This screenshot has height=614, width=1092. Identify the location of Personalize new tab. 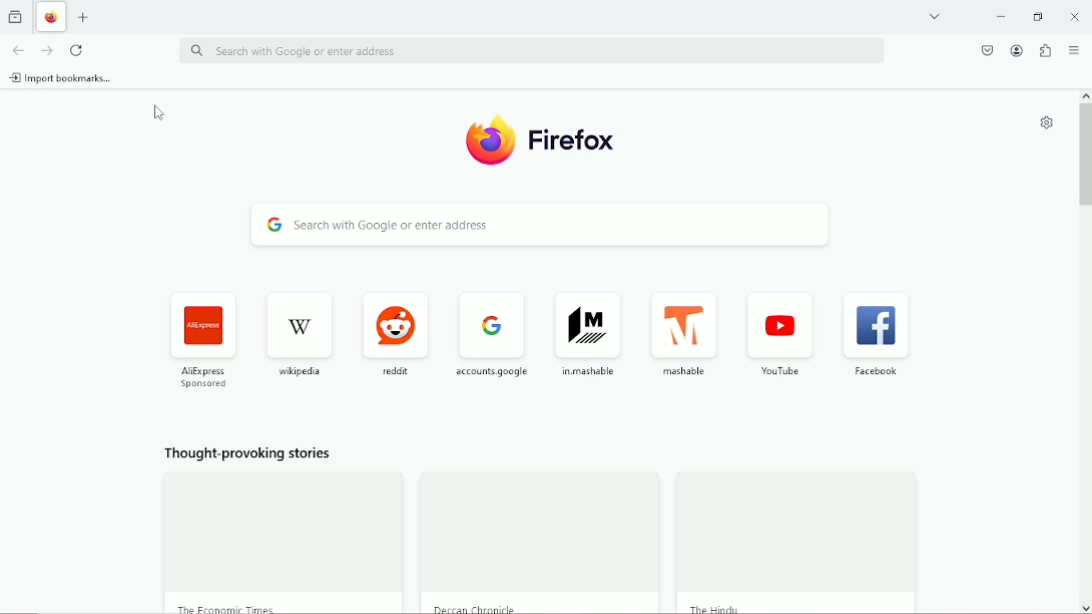
(1045, 122).